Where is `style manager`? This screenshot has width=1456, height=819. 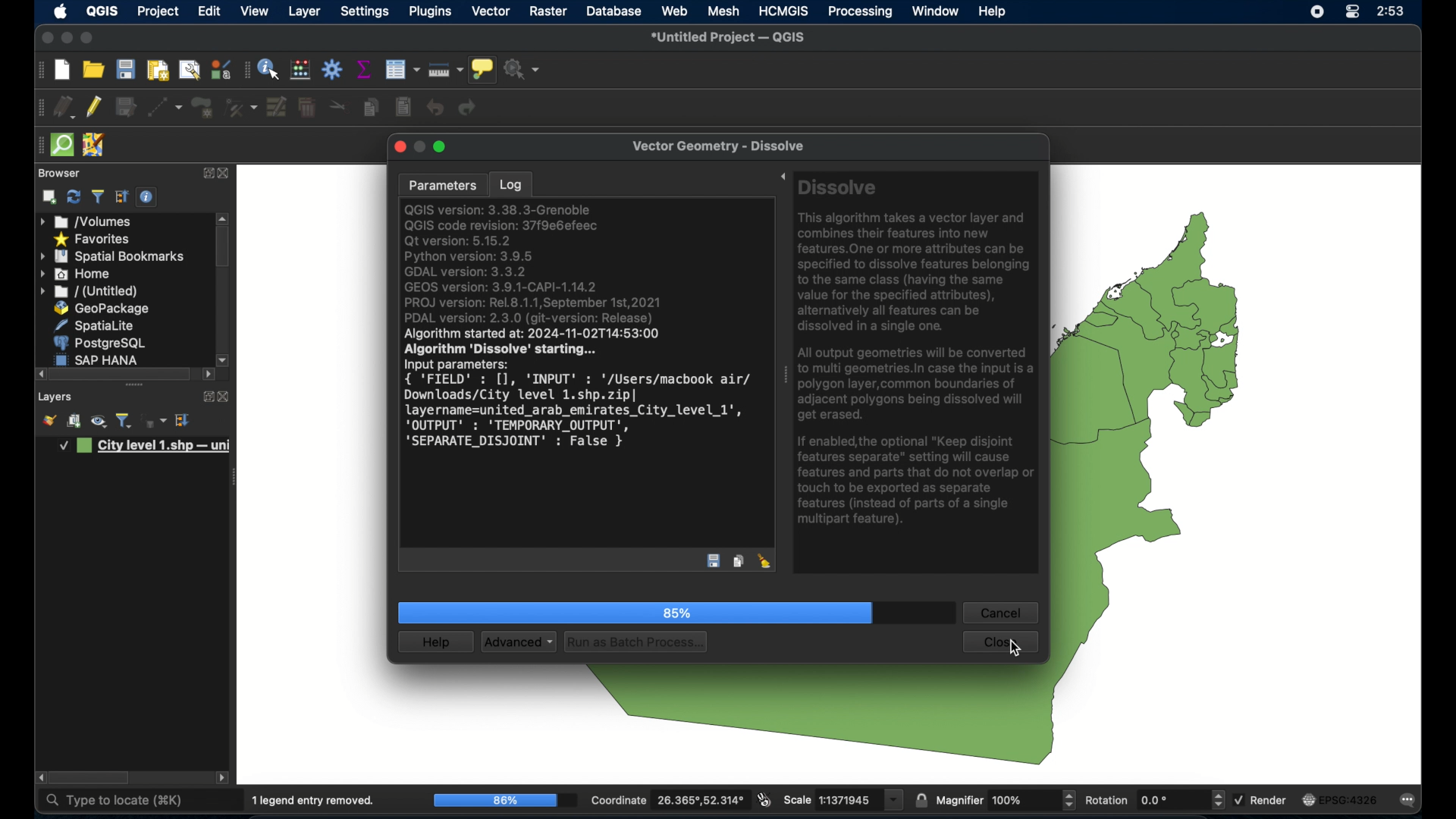 style manager is located at coordinates (219, 69).